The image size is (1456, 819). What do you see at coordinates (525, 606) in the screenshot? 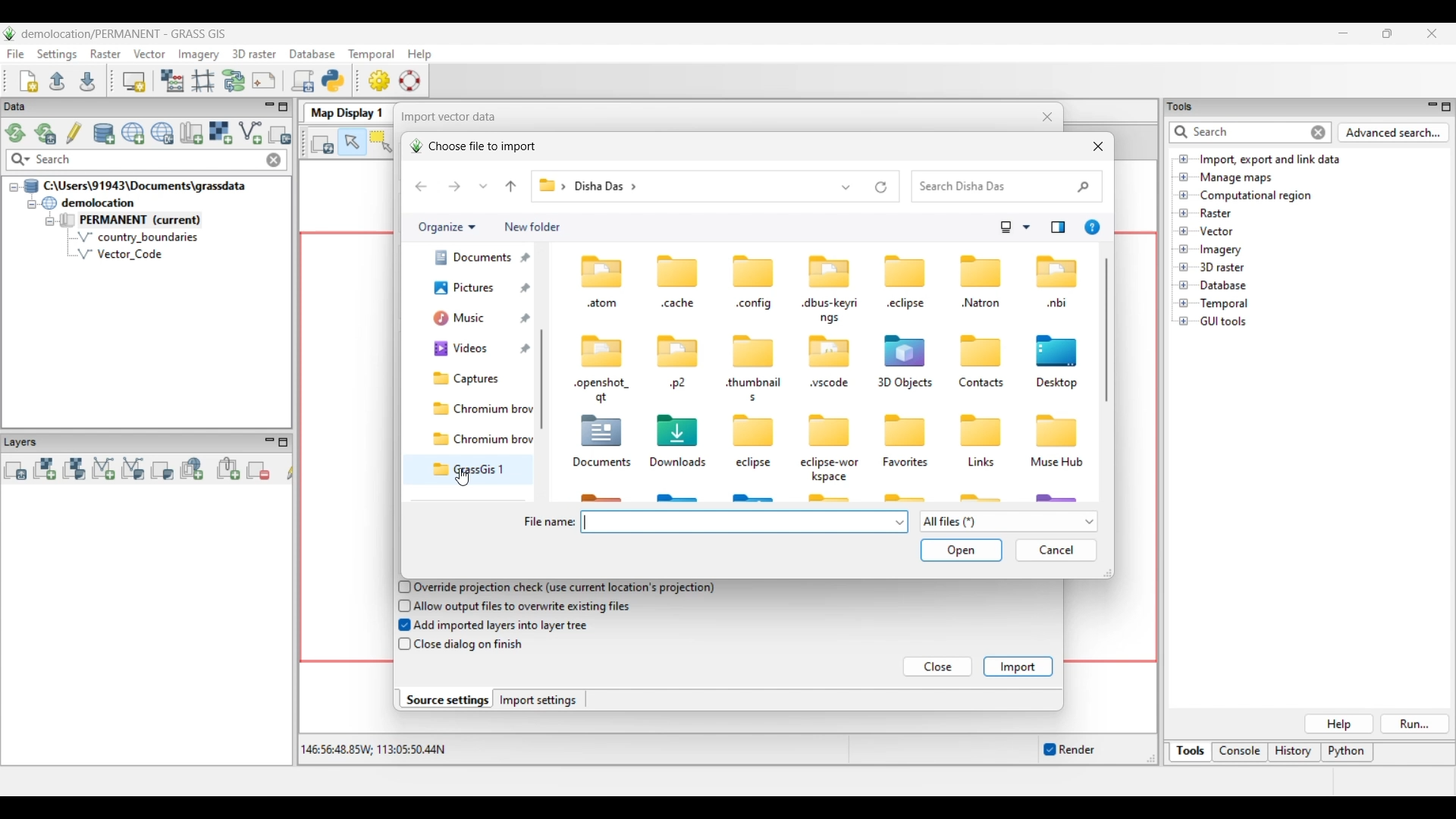
I see `Allow output files to overwrite existing files` at bounding box center [525, 606].